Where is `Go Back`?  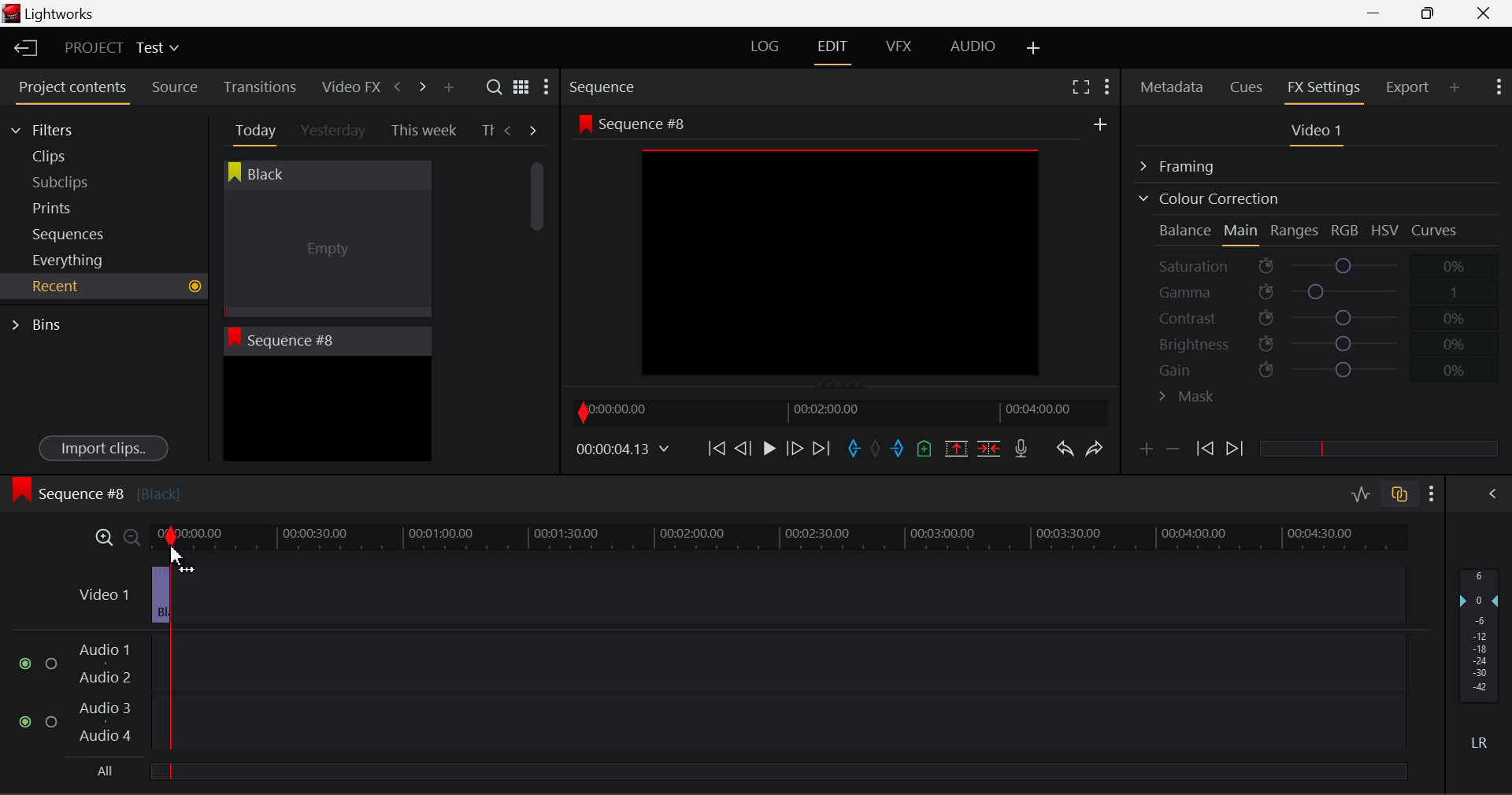
Go Back is located at coordinates (745, 447).